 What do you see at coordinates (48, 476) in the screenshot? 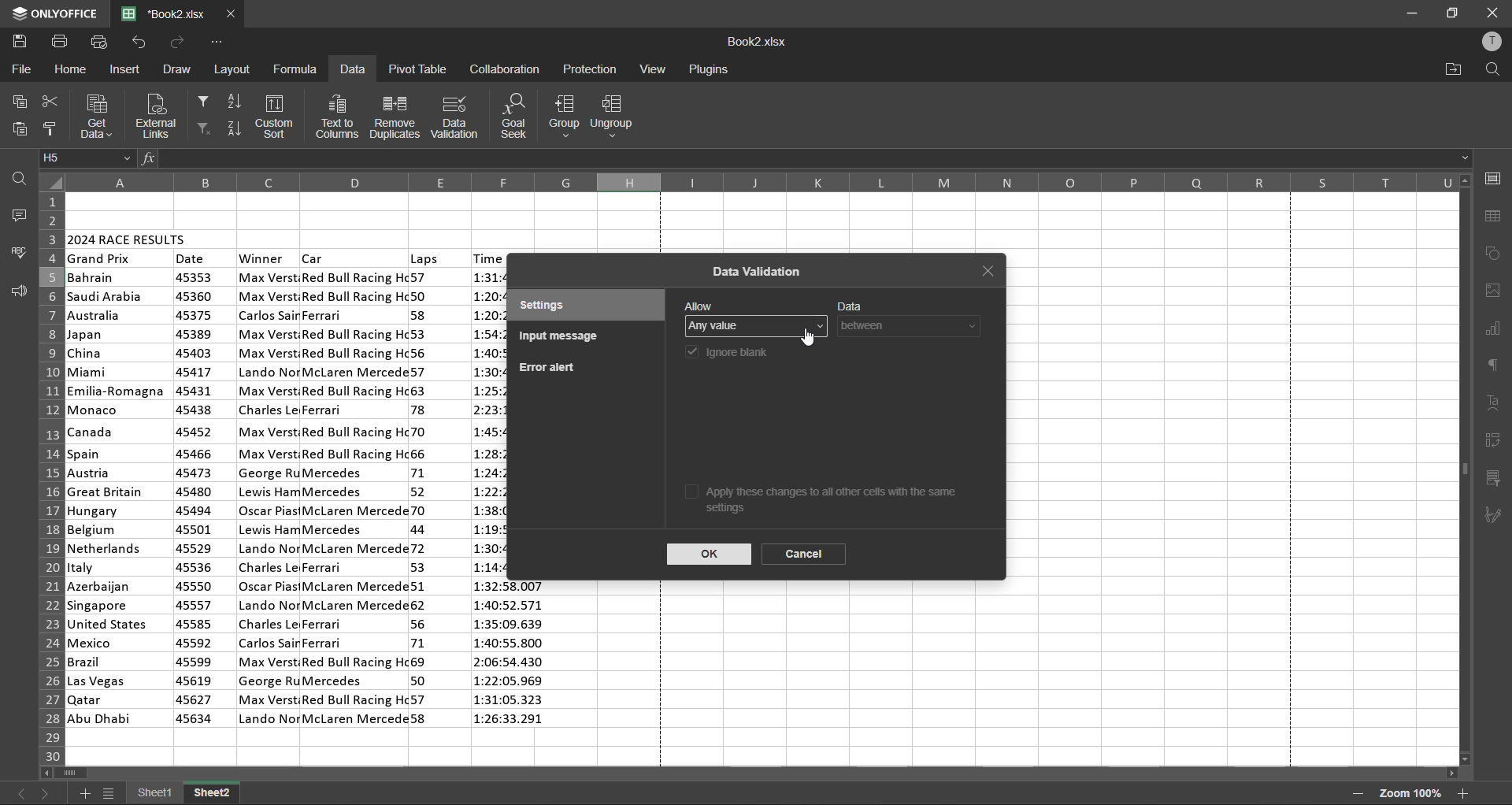
I see `row numbers` at bounding box center [48, 476].